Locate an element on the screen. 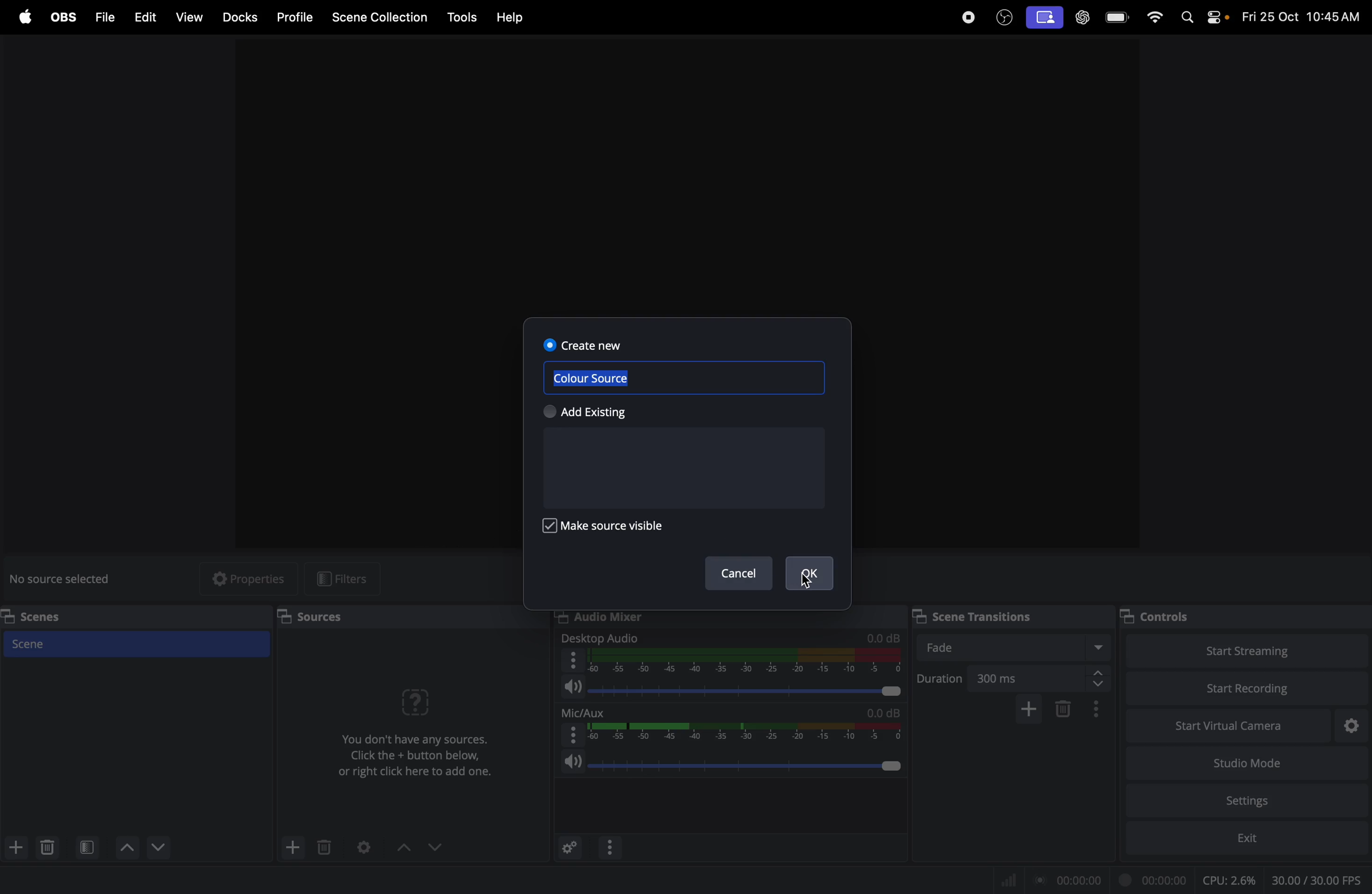 This screenshot has width=1372, height=894. obs window is located at coordinates (685, 173).